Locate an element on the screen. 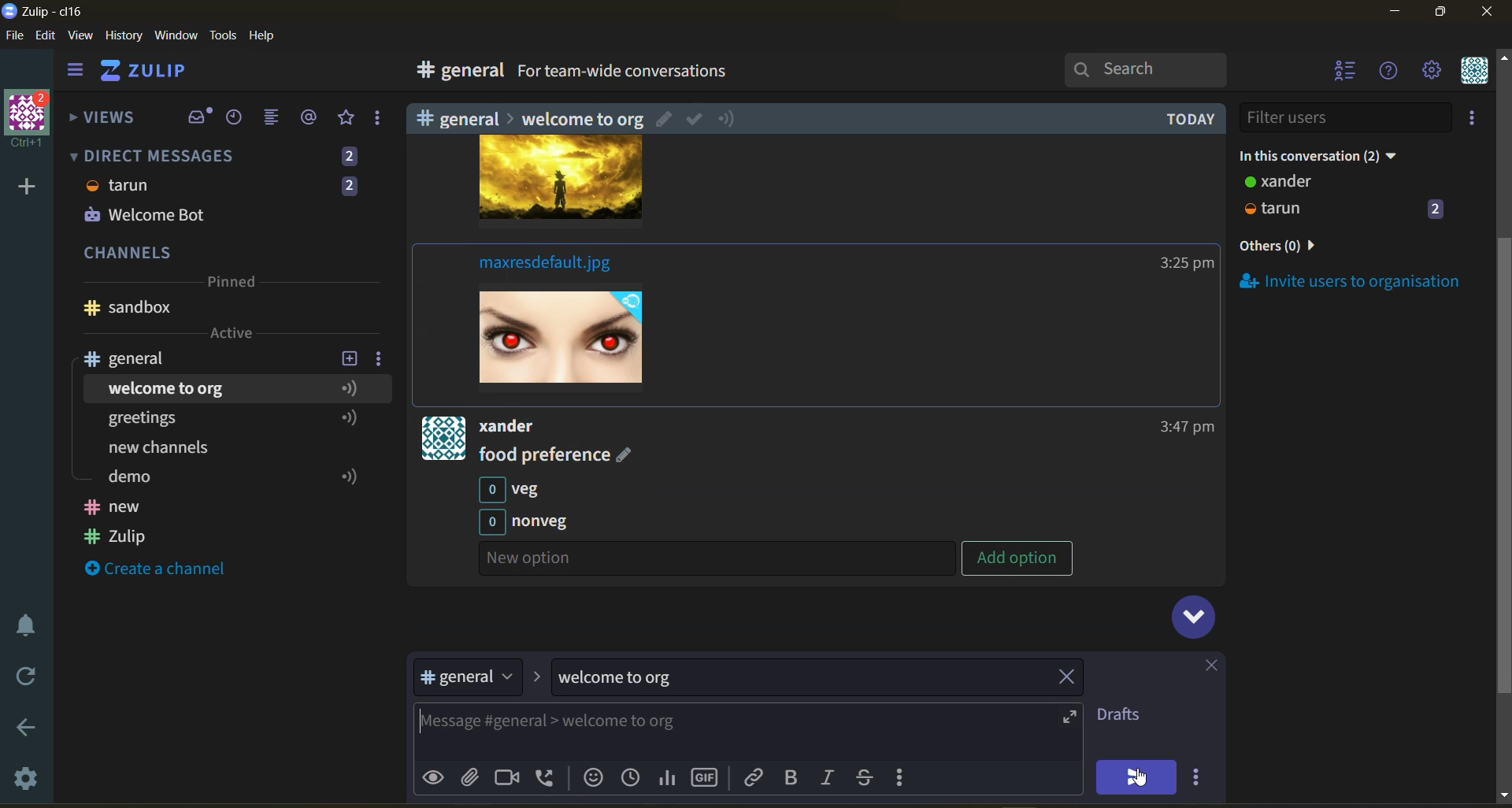  link is located at coordinates (755, 776).